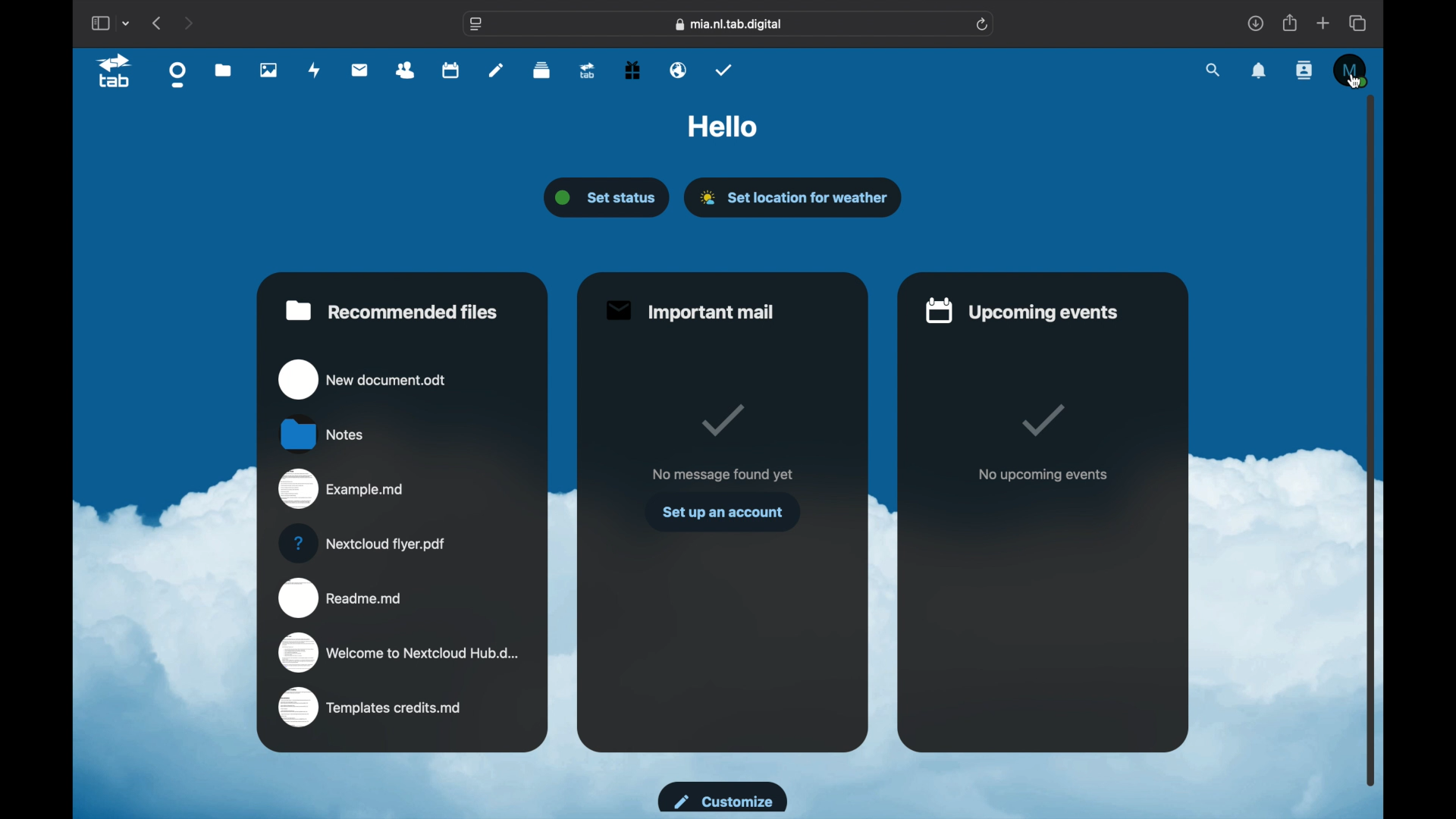  Describe the element at coordinates (178, 74) in the screenshot. I see `dashboard` at that location.